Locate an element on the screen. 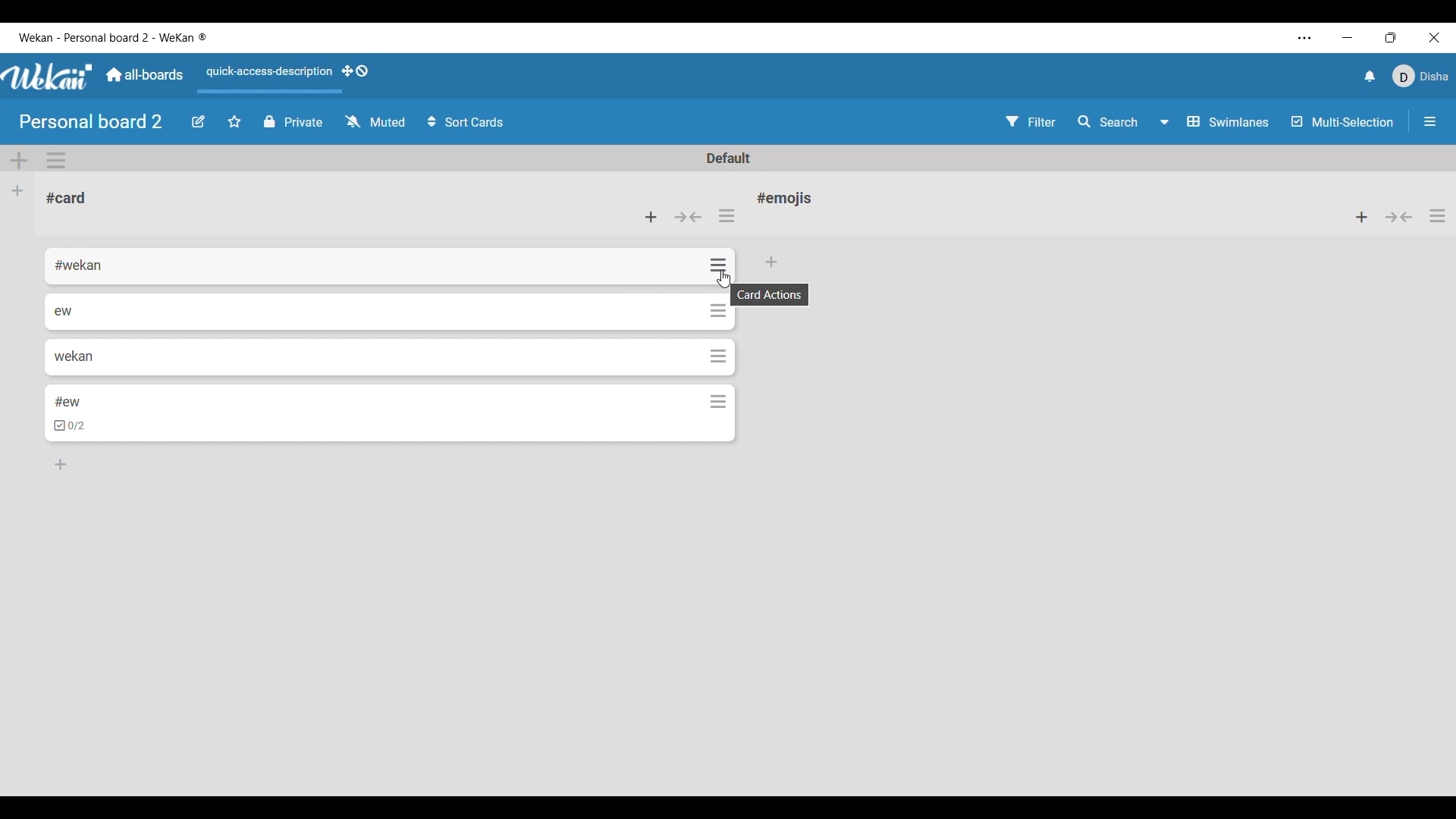 This screenshot has width=1456, height=819. Card actions for respective card is located at coordinates (720, 354).